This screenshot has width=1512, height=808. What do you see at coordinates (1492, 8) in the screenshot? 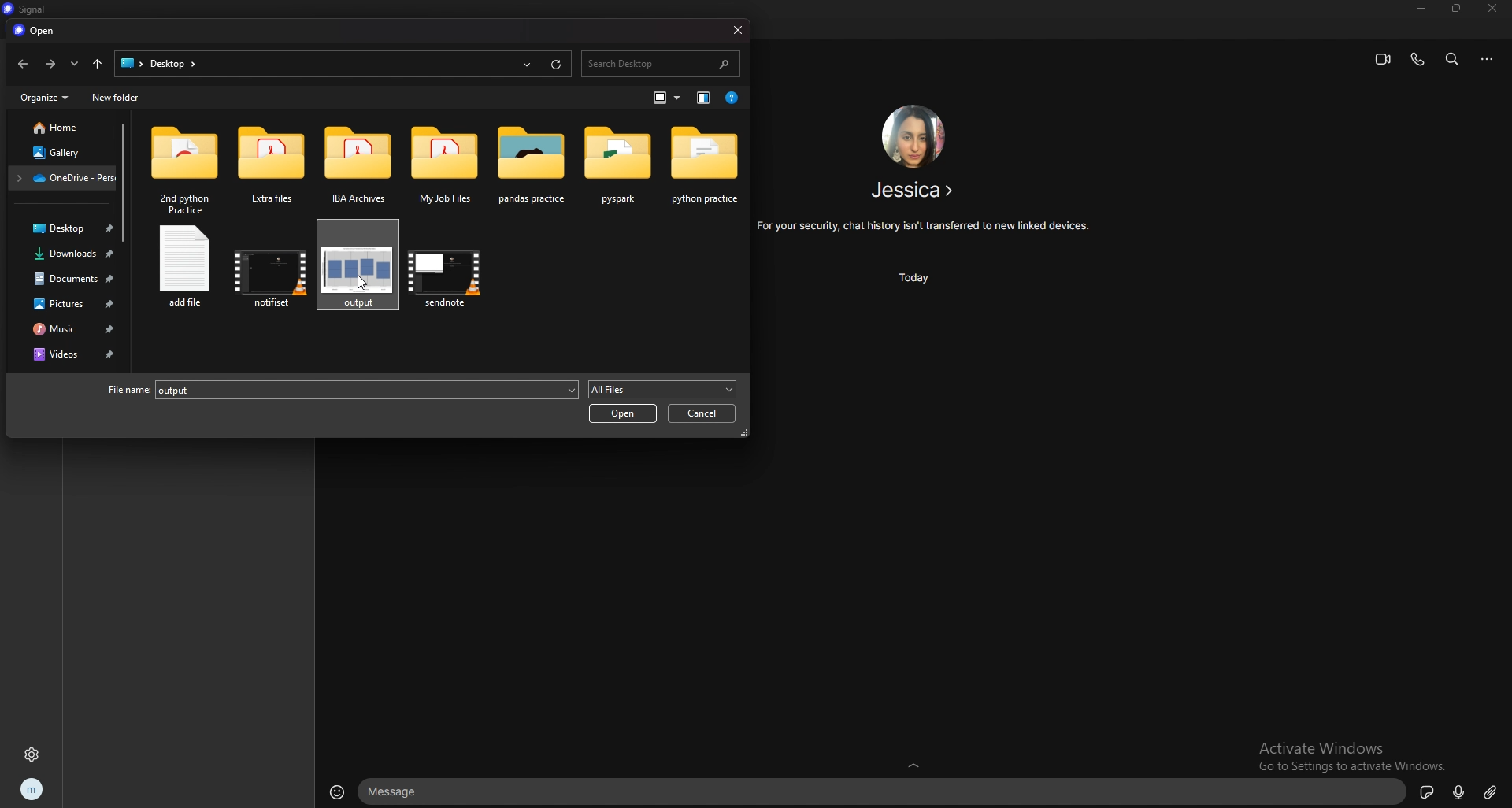
I see `close` at bounding box center [1492, 8].